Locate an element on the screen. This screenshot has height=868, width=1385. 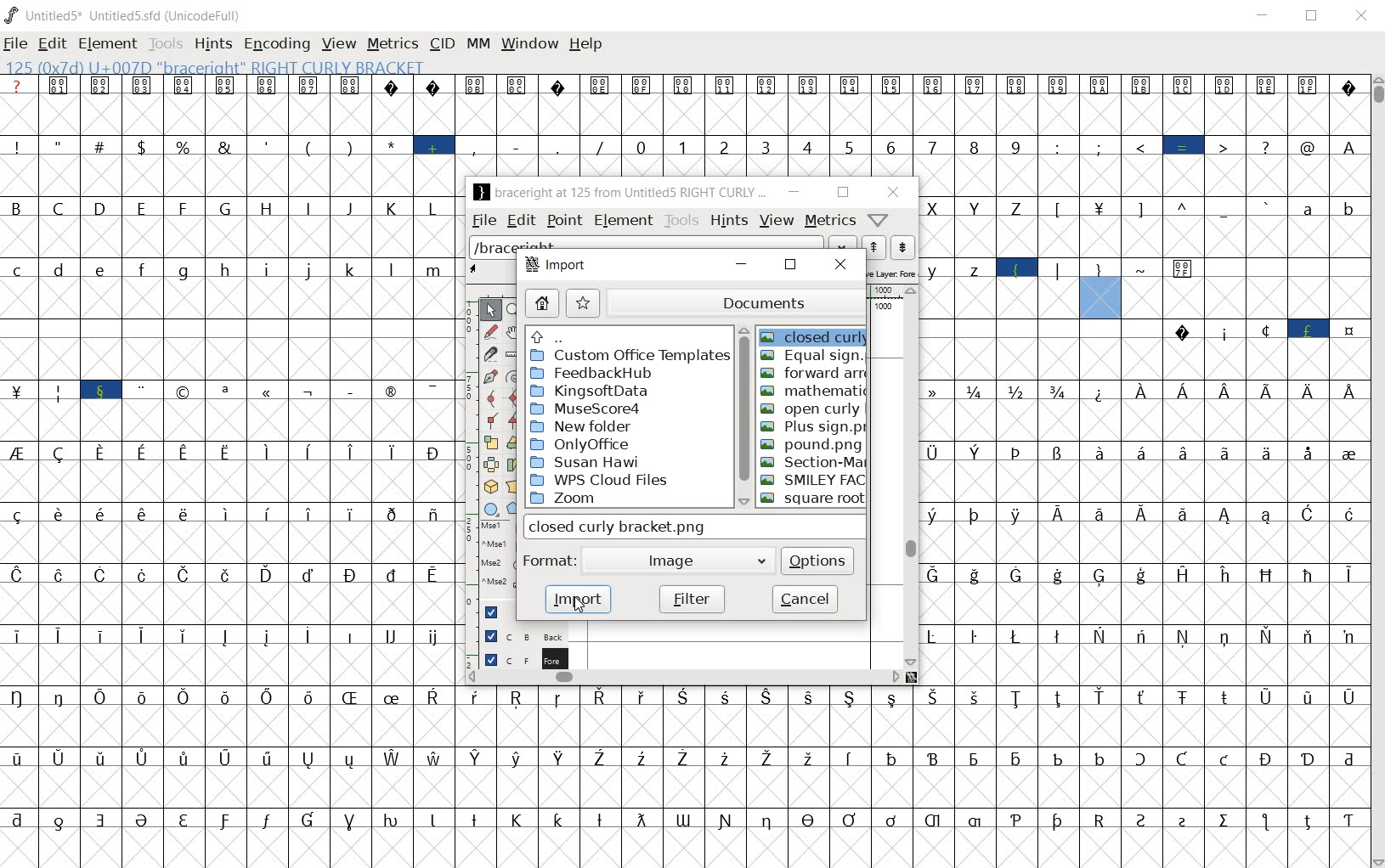
ruler is located at coordinates (884, 291).